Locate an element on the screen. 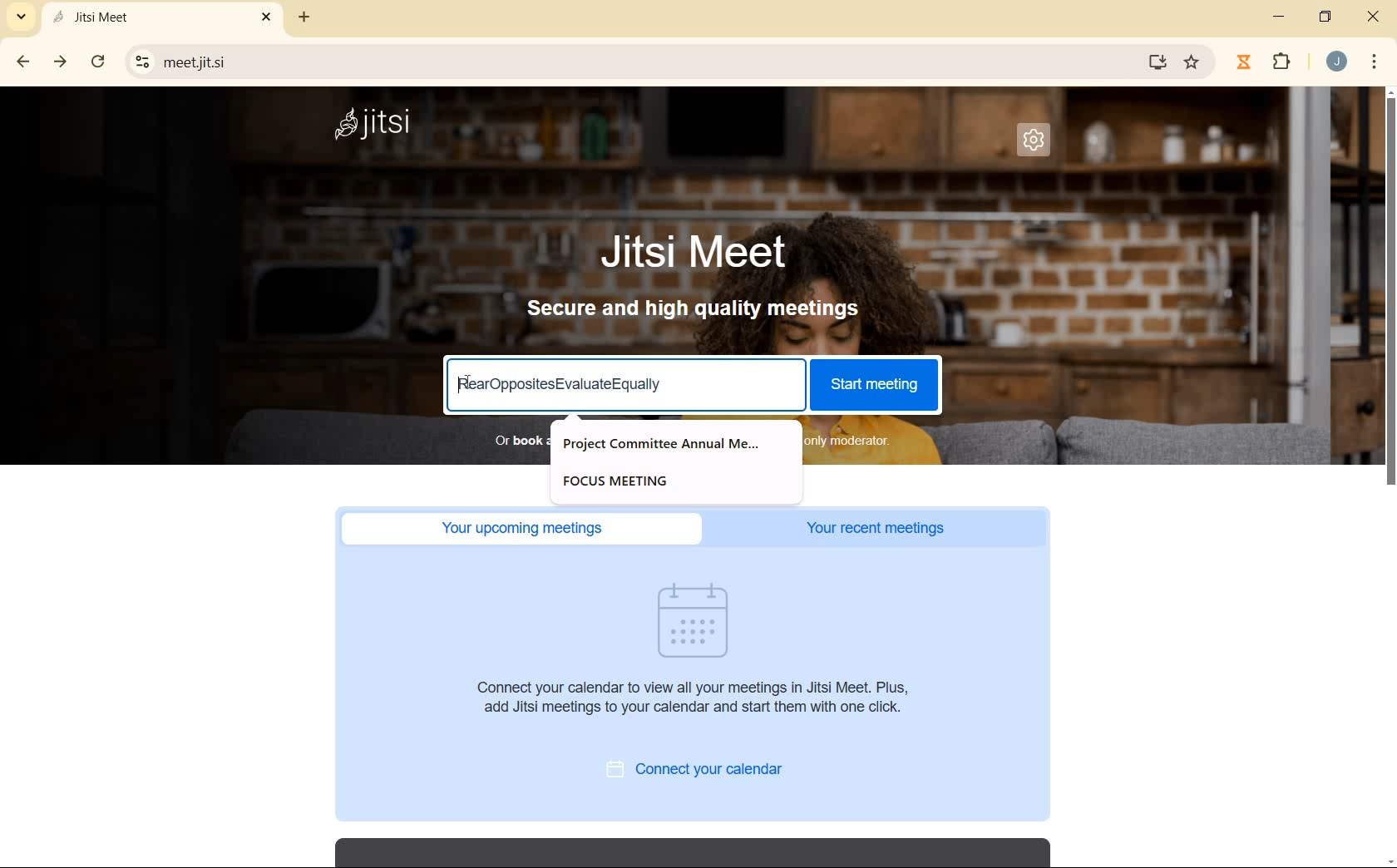 The image size is (1397, 868). MINIMIZE is located at coordinates (1276, 17).